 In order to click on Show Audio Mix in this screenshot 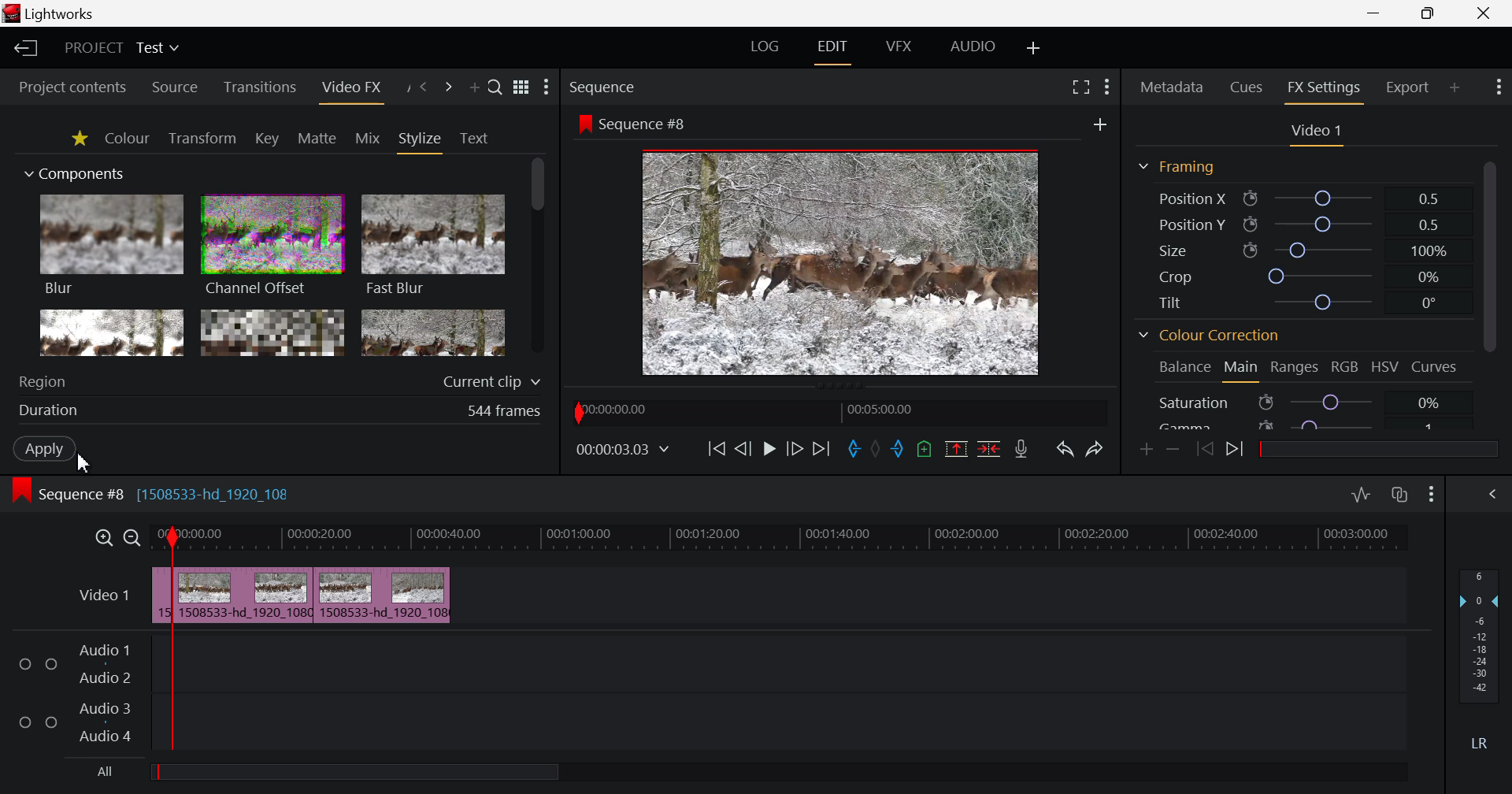, I will do `click(1494, 495)`.